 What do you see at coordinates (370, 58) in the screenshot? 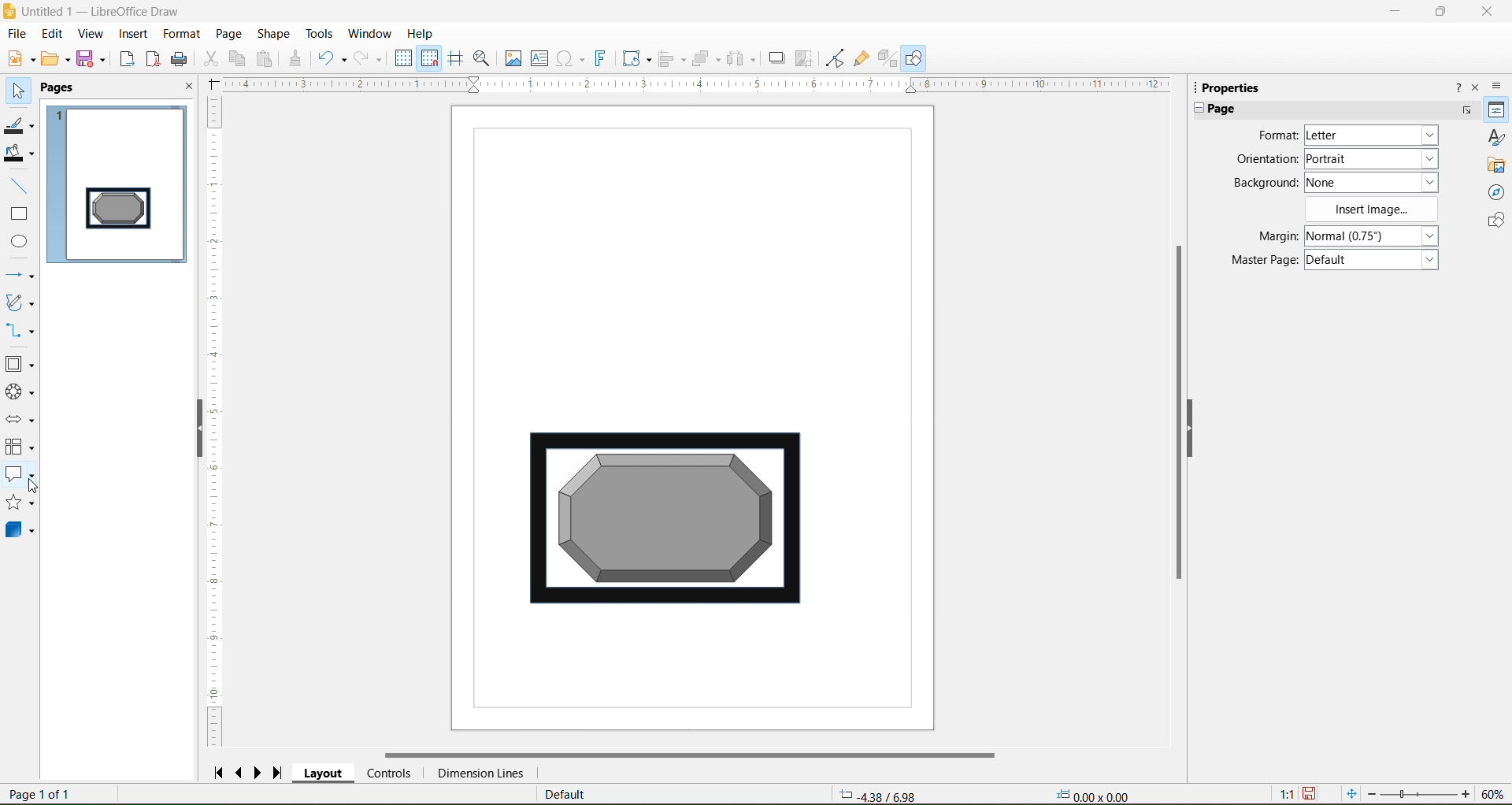
I see `Redo` at bounding box center [370, 58].